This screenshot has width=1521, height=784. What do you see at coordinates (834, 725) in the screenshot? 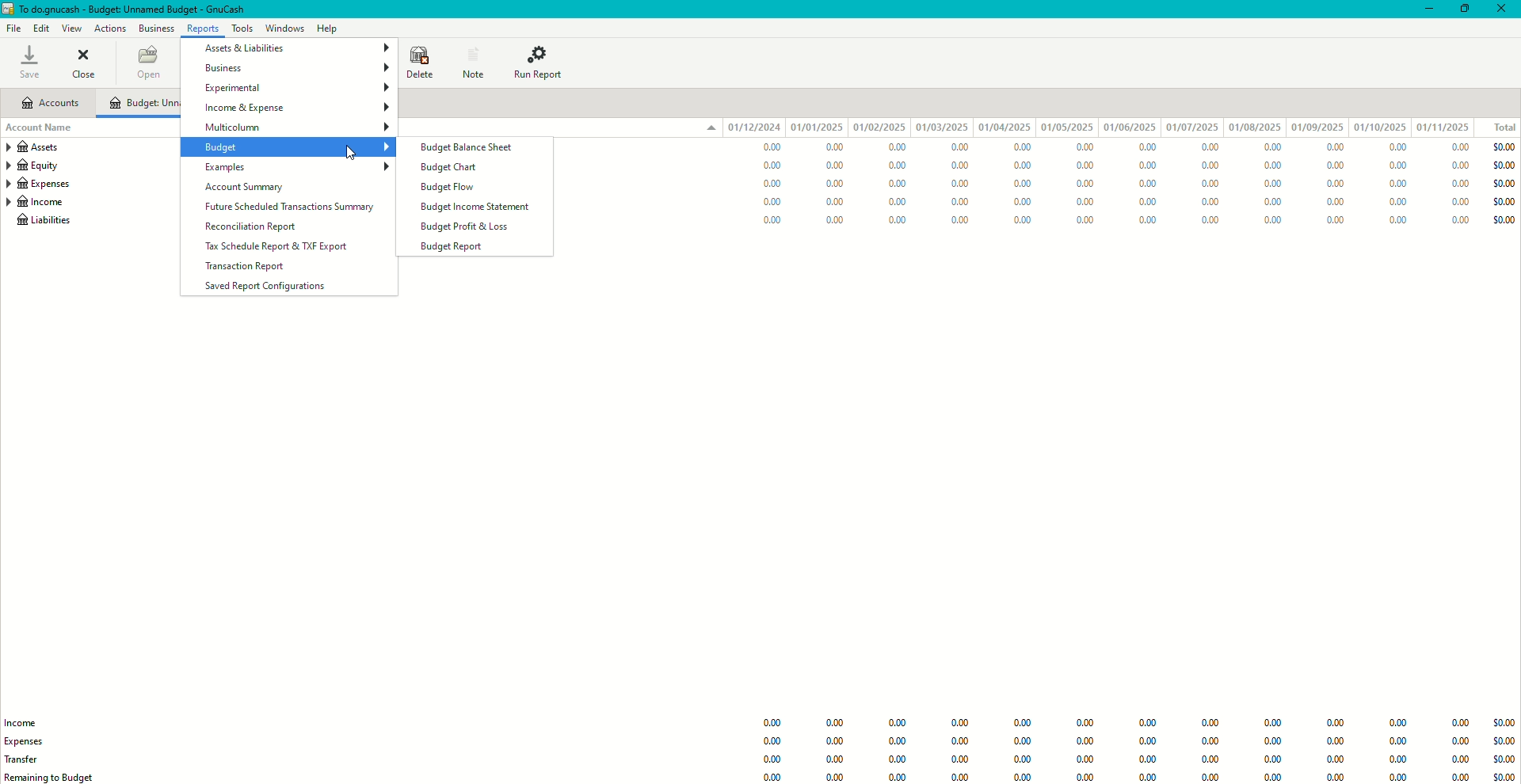
I see `0.00` at bounding box center [834, 725].